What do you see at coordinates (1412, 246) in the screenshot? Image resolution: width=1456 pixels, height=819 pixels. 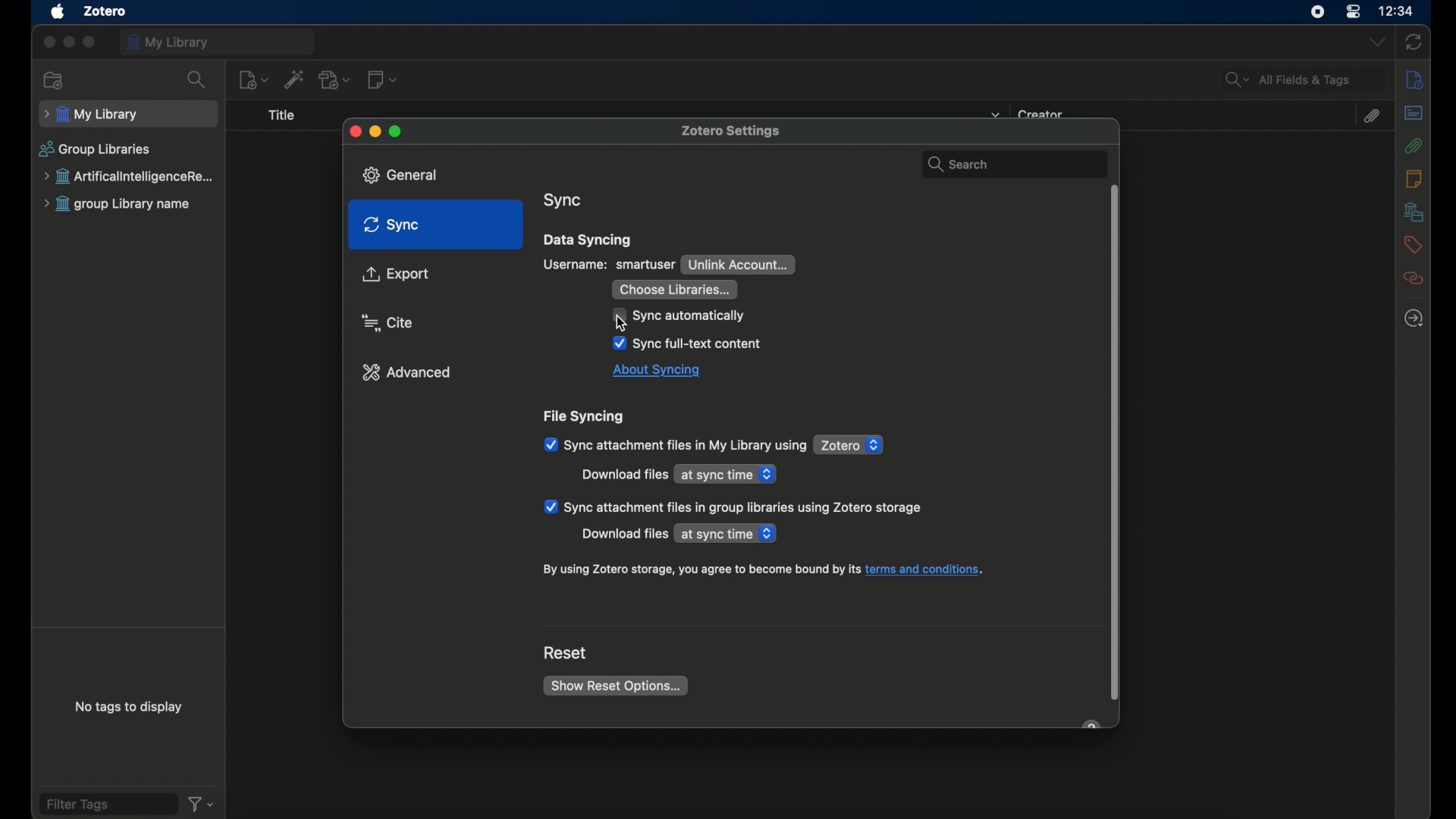 I see `tags` at bounding box center [1412, 246].